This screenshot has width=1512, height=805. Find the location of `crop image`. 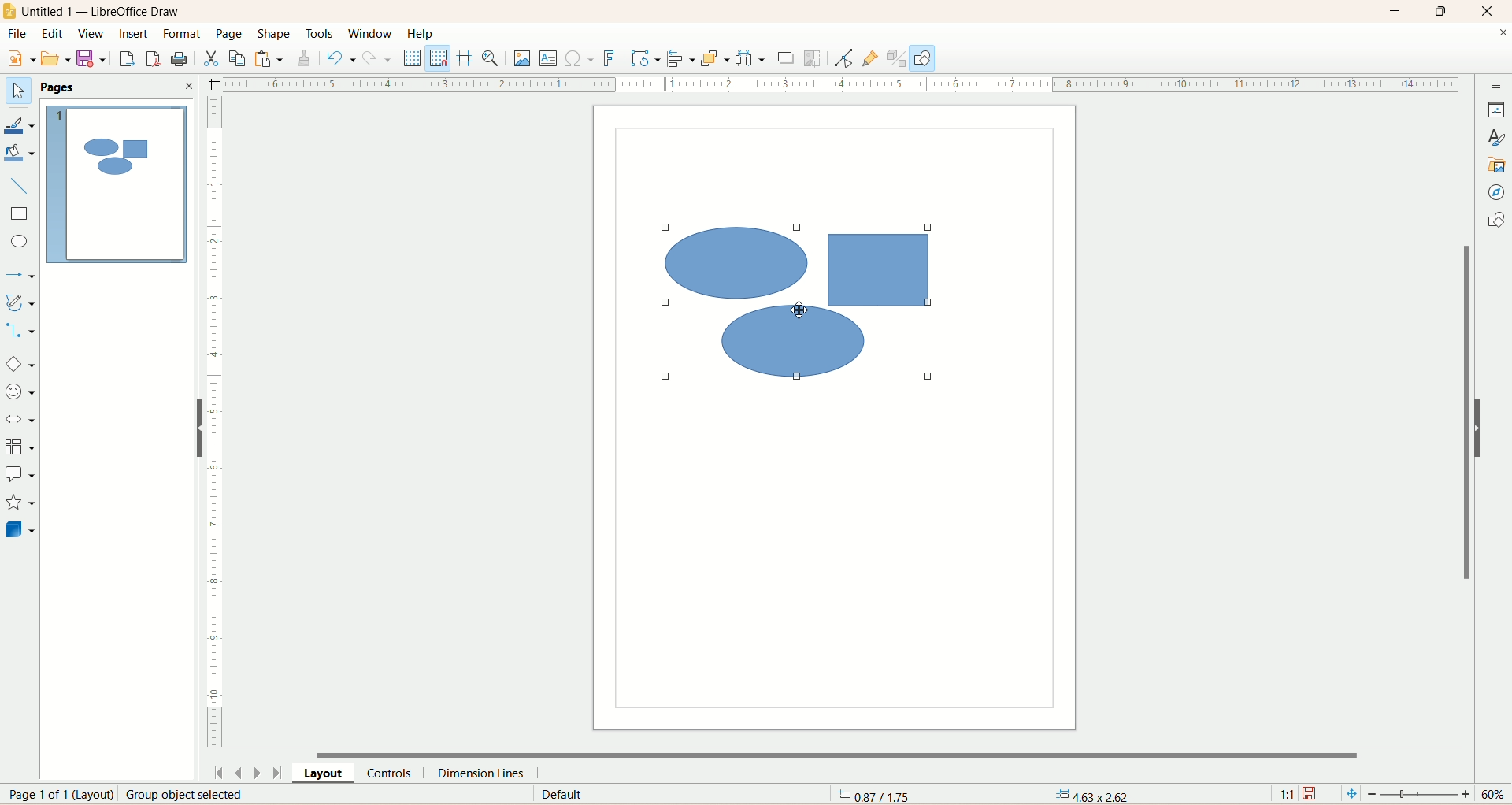

crop image is located at coordinates (813, 59).